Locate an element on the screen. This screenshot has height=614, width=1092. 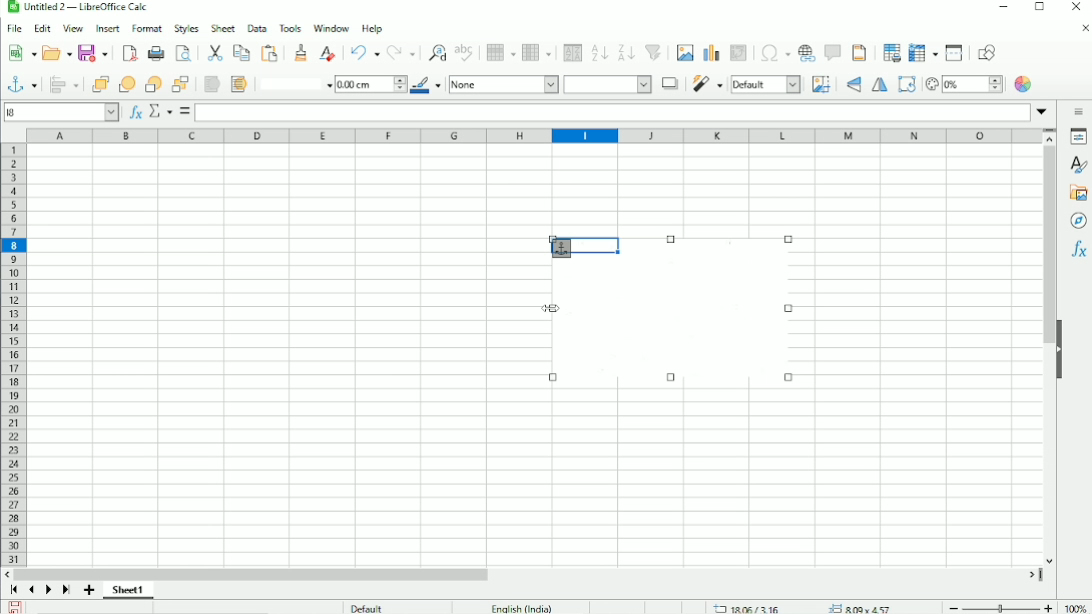
View is located at coordinates (73, 28).